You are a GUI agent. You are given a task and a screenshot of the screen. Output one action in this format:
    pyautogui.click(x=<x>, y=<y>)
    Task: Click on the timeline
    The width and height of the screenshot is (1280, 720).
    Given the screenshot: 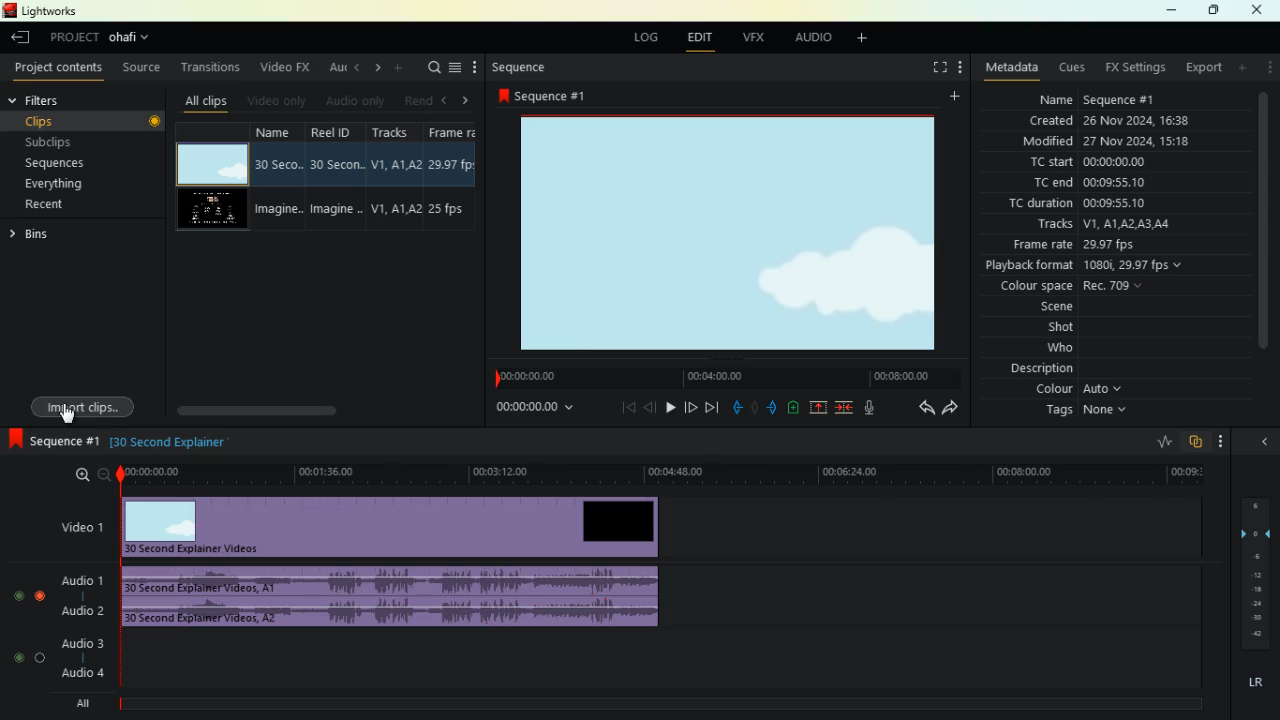 What is the action you would take?
    pyautogui.click(x=657, y=704)
    